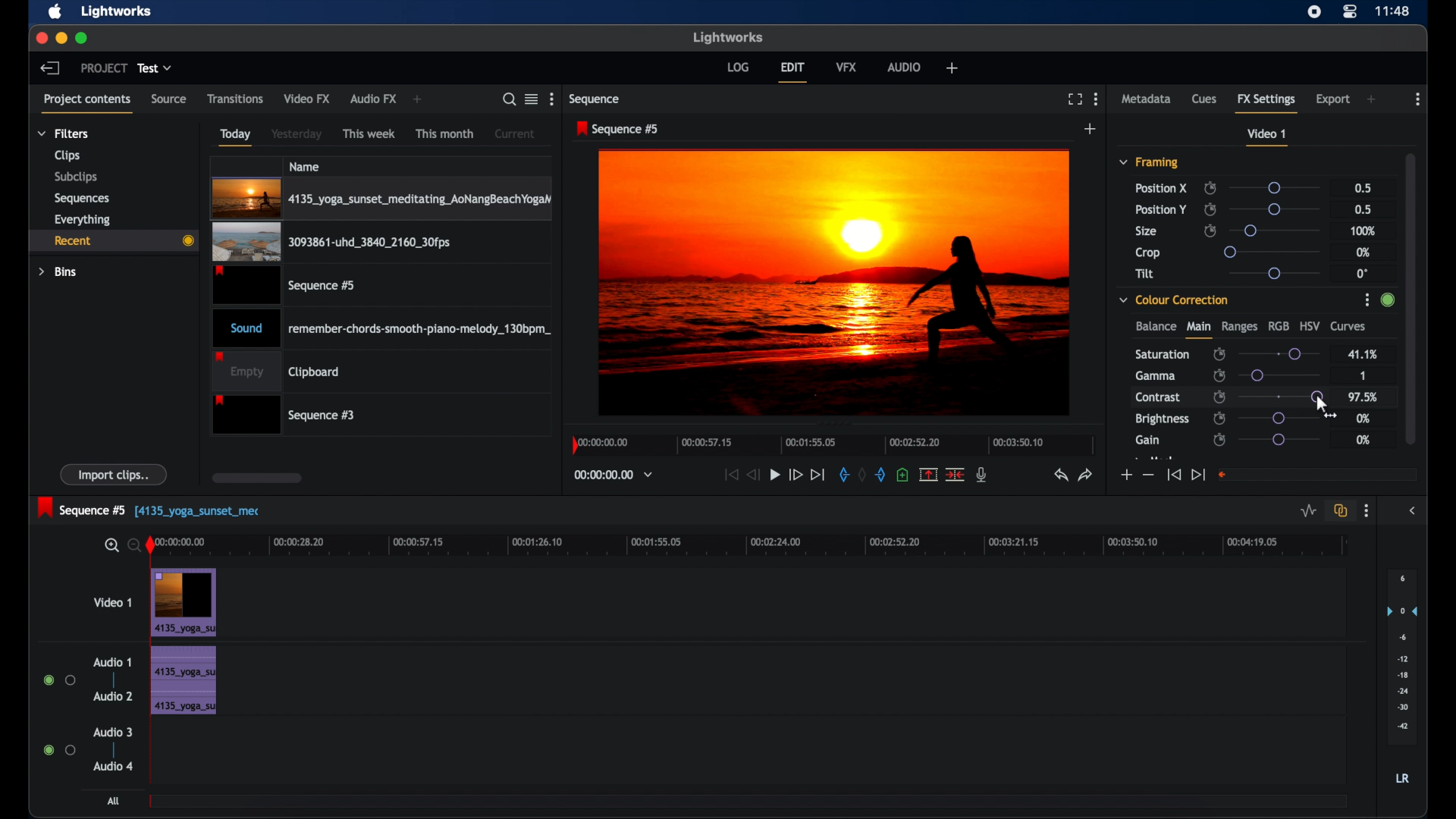 The image size is (1456, 819). Describe the element at coordinates (1125, 475) in the screenshot. I see `increment` at that location.